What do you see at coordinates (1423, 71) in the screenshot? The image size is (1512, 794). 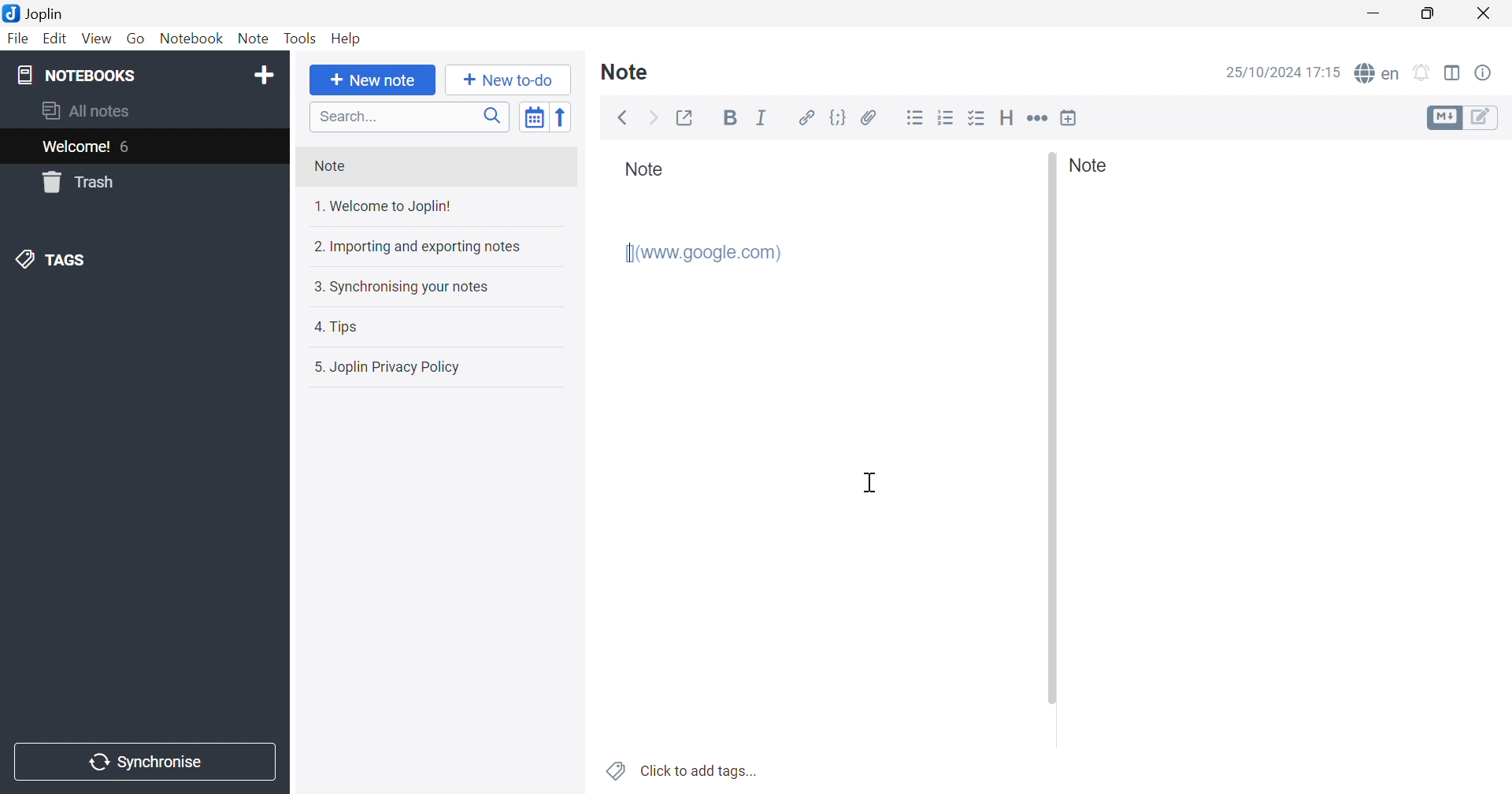 I see `Set alarm` at bounding box center [1423, 71].